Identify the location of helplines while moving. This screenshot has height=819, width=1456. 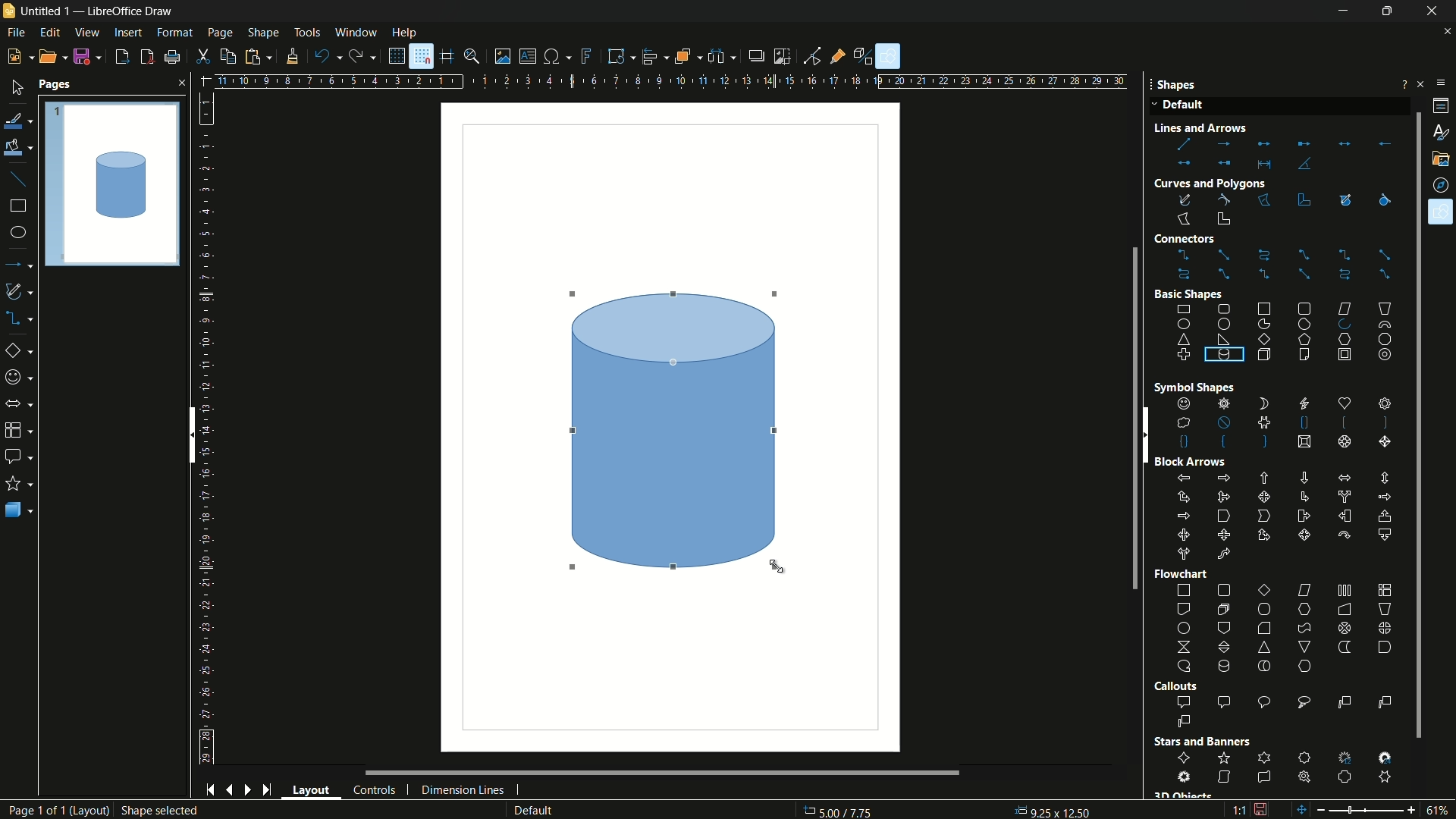
(447, 58).